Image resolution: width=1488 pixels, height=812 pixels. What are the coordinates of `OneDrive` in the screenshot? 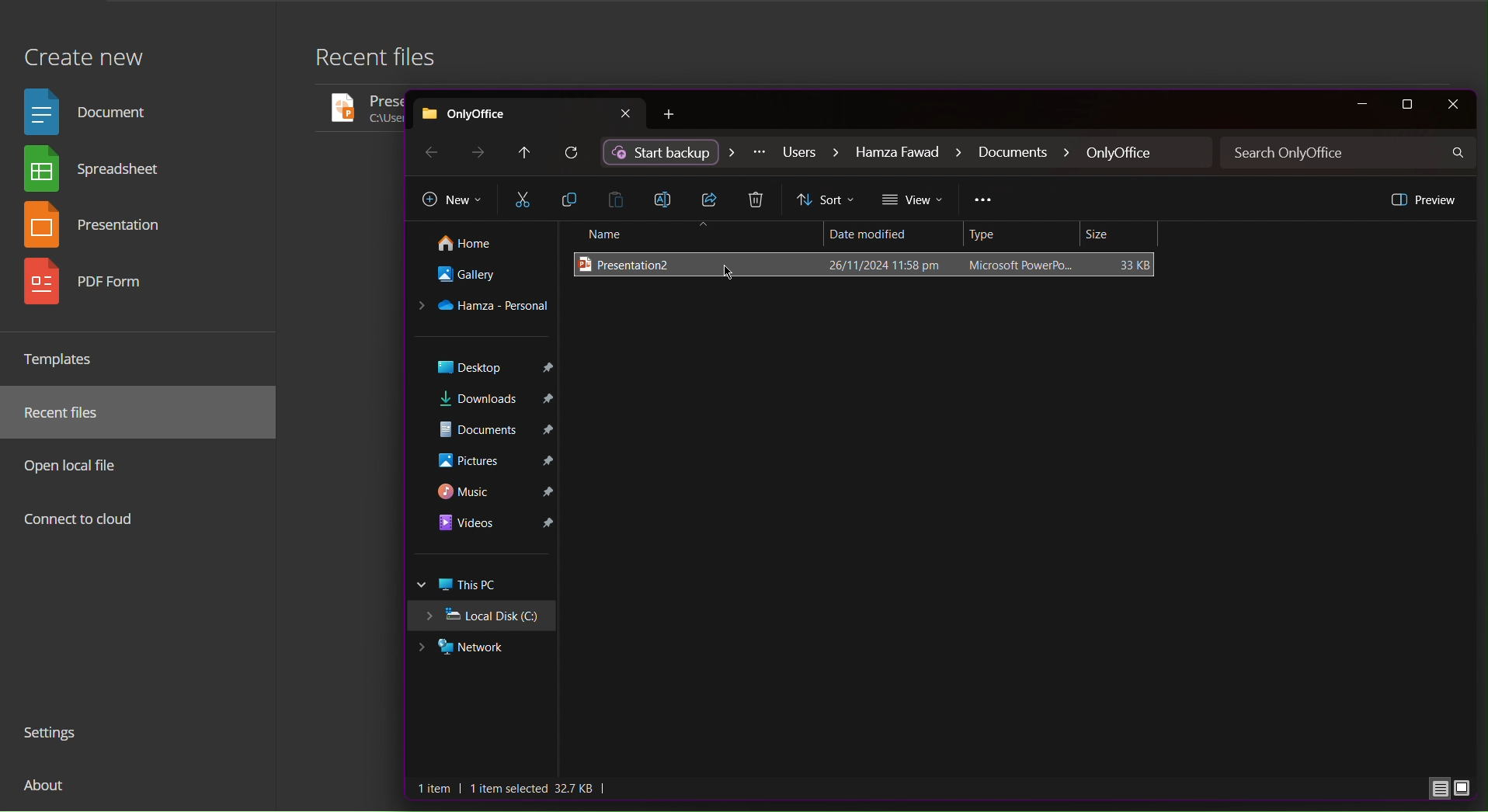 It's located at (484, 307).